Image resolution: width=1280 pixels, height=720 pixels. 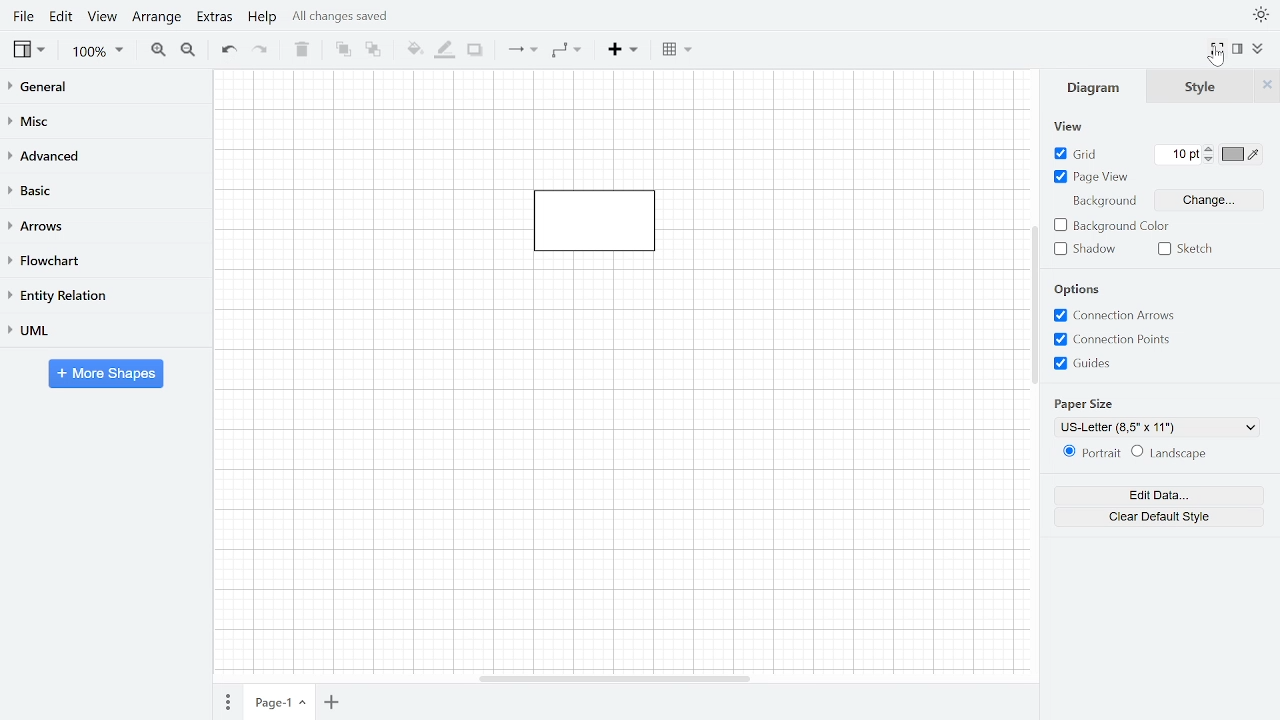 What do you see at coordinates (1209, 204) in the screenshot?
I see `Change background` at bounding box center [1209, 204].